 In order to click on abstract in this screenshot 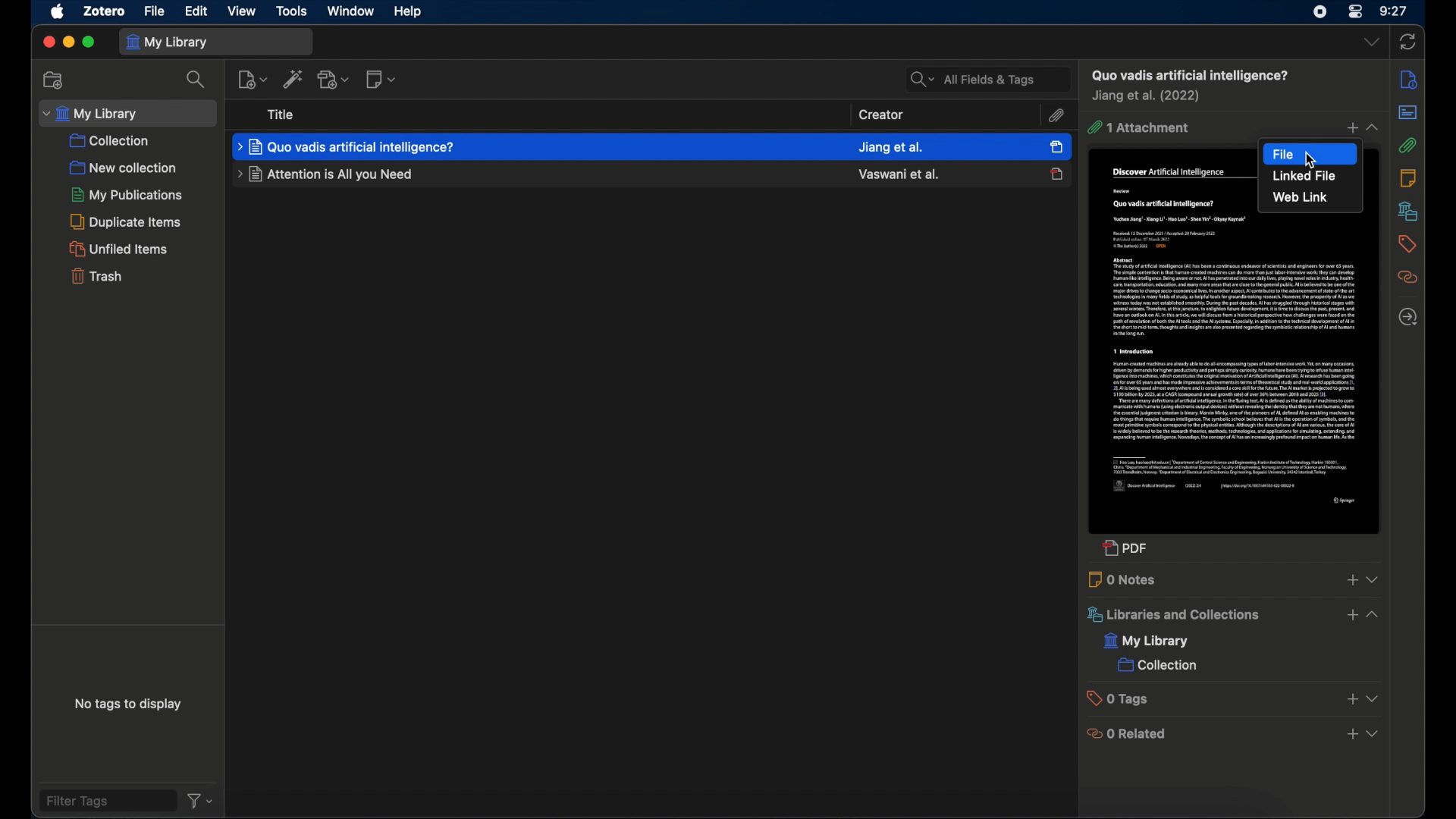, I will do `click(1407, 112)`.